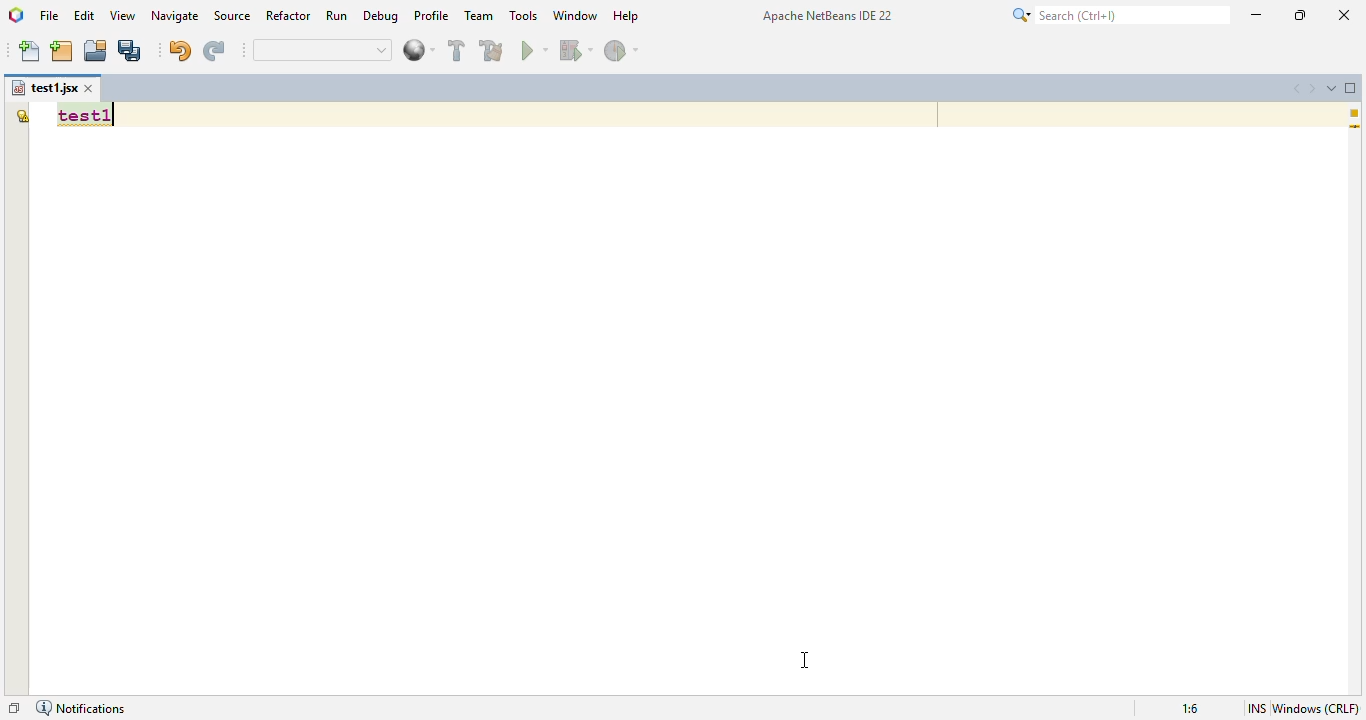  What do you see at coordinates (524, 15) in the screenshot?
I see `tools` at bounding box center [524, 15].